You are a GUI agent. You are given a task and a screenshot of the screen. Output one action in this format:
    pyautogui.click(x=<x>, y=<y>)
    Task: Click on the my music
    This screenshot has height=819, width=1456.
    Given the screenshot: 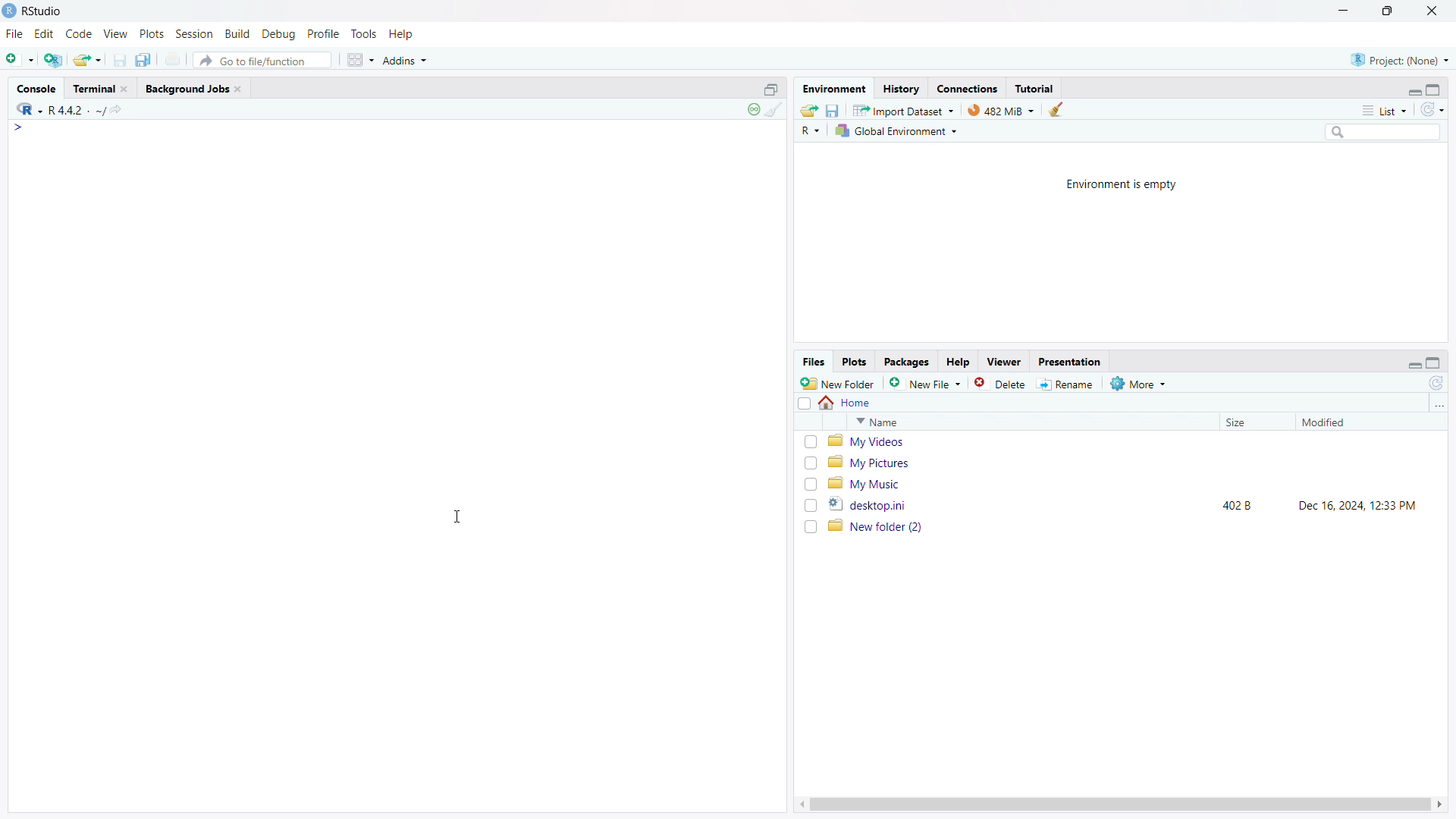 What is the action you would take?
    pyautogui.click(x=1130, y=483)
    